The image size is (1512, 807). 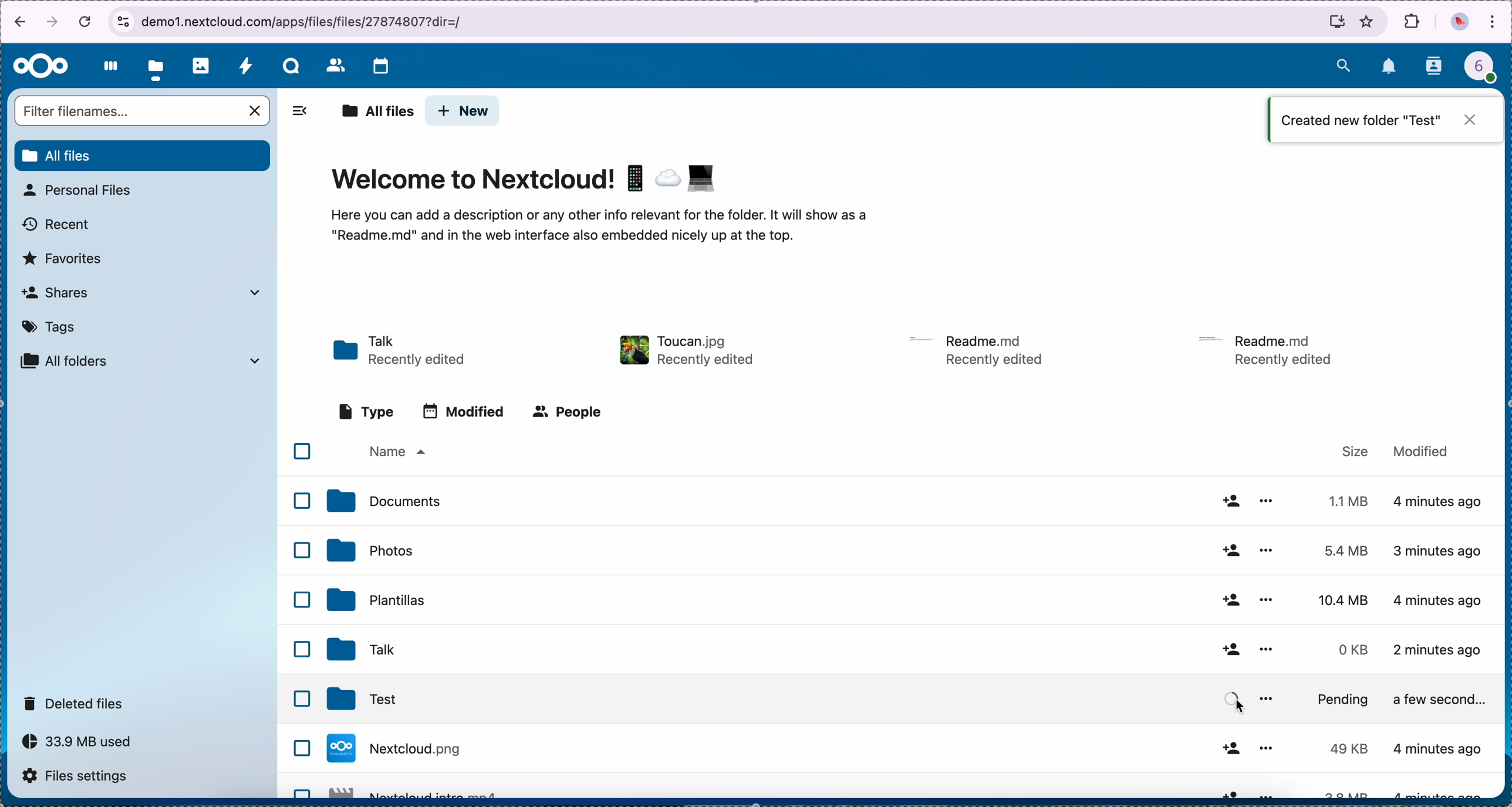 What do you see at coordinates (1439, 598) in the screenshot?
I see `4 minutes ago` at bounding box center [1439, 598].